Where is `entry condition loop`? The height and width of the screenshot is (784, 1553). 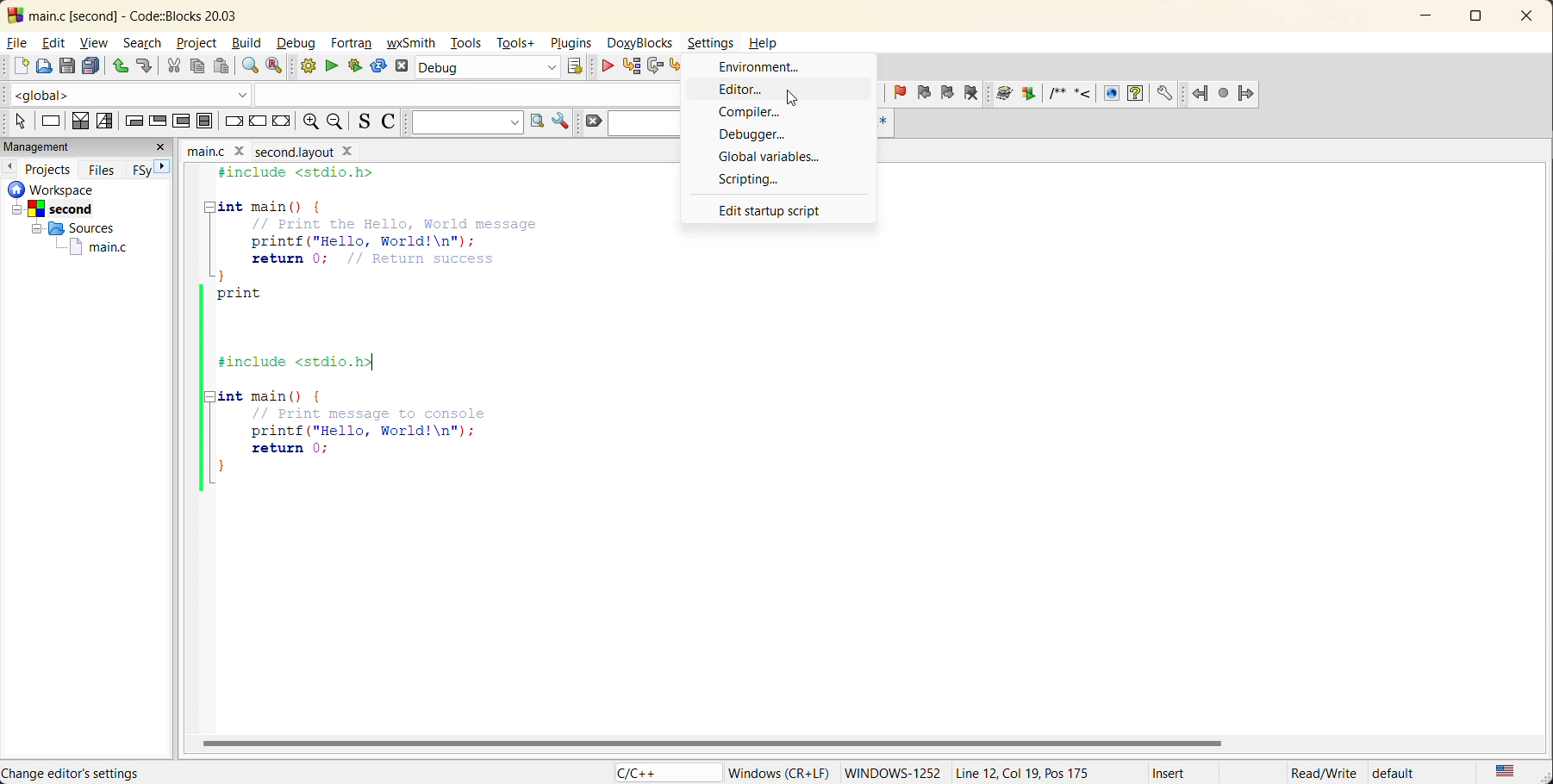
entry condition loop is located at coordinates (132, 121).